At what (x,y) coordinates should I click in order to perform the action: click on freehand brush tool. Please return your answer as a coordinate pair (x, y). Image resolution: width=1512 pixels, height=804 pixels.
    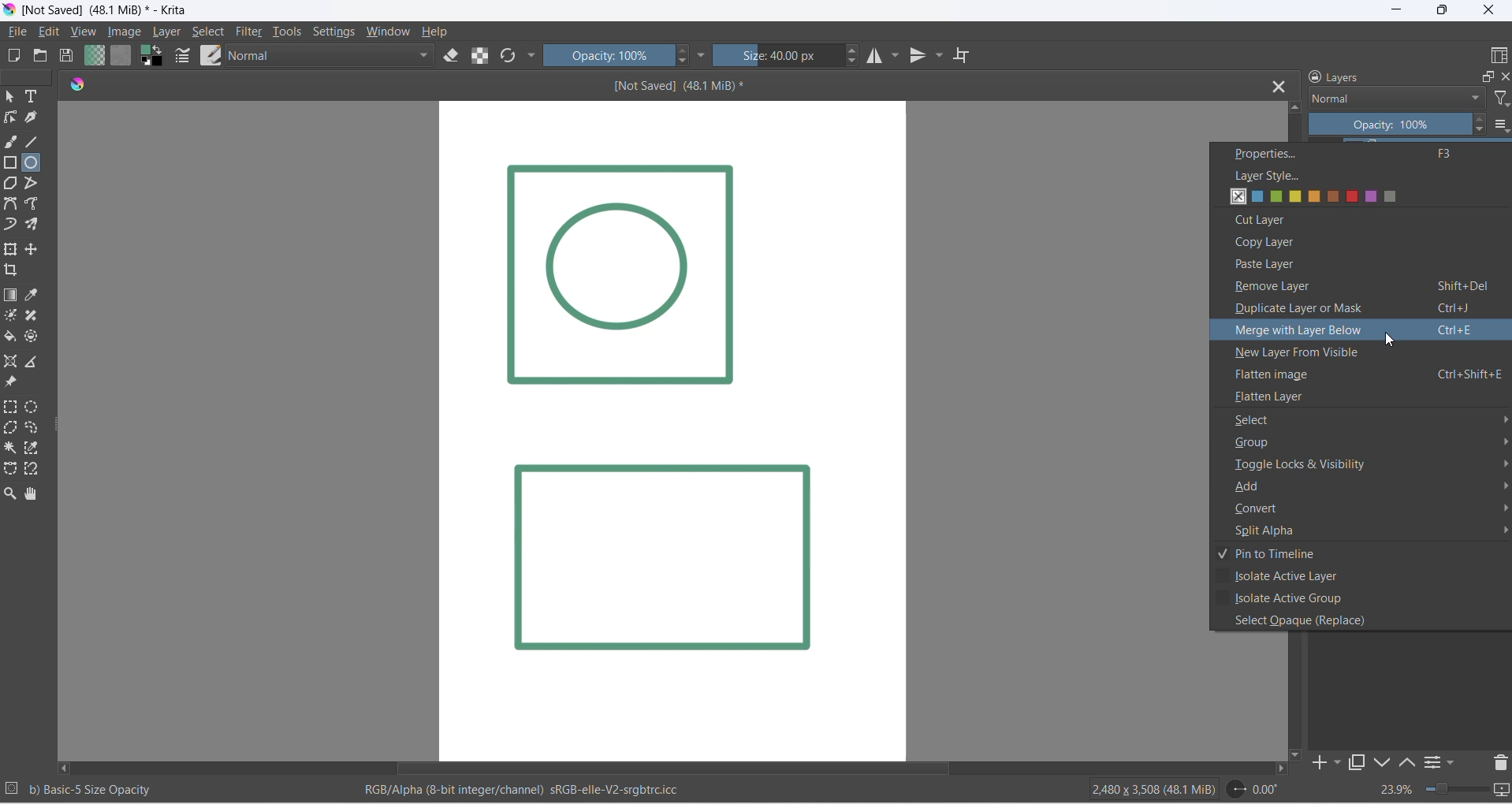
    Looking at the image, I should click on (11, 143).